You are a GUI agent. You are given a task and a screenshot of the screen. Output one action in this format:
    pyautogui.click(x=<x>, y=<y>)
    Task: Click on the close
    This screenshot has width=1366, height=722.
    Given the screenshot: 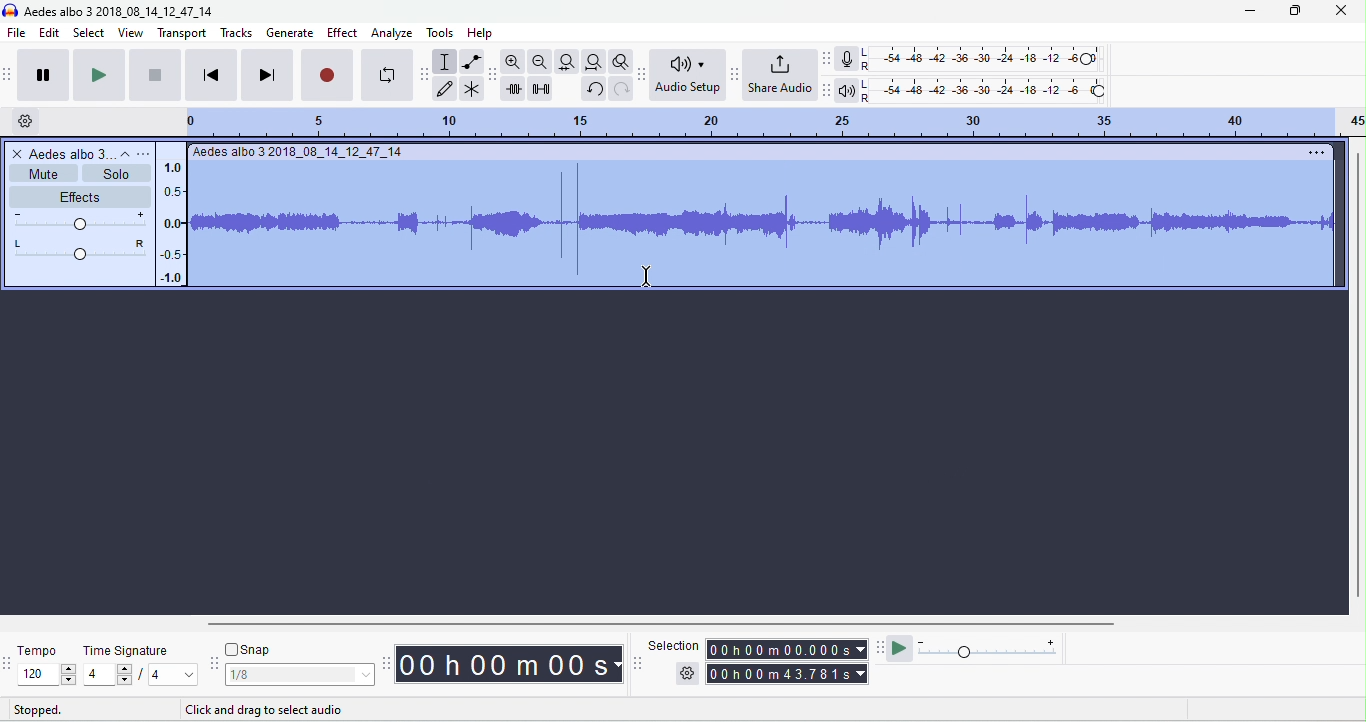 What is the action you would take?
    pyautogui.click(x=16, y=155)
    